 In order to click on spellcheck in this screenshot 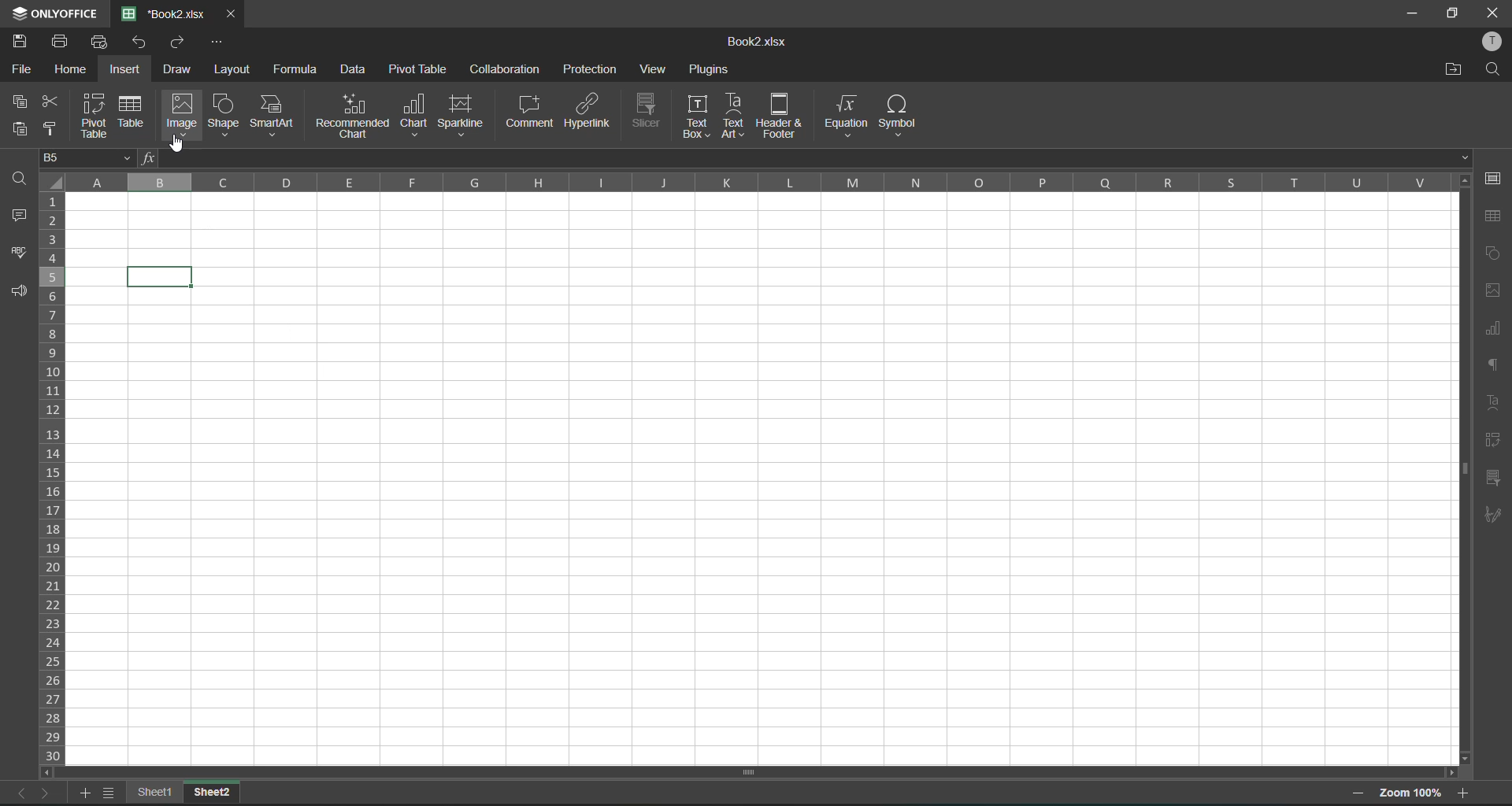, I will do `click(19, 255)`.